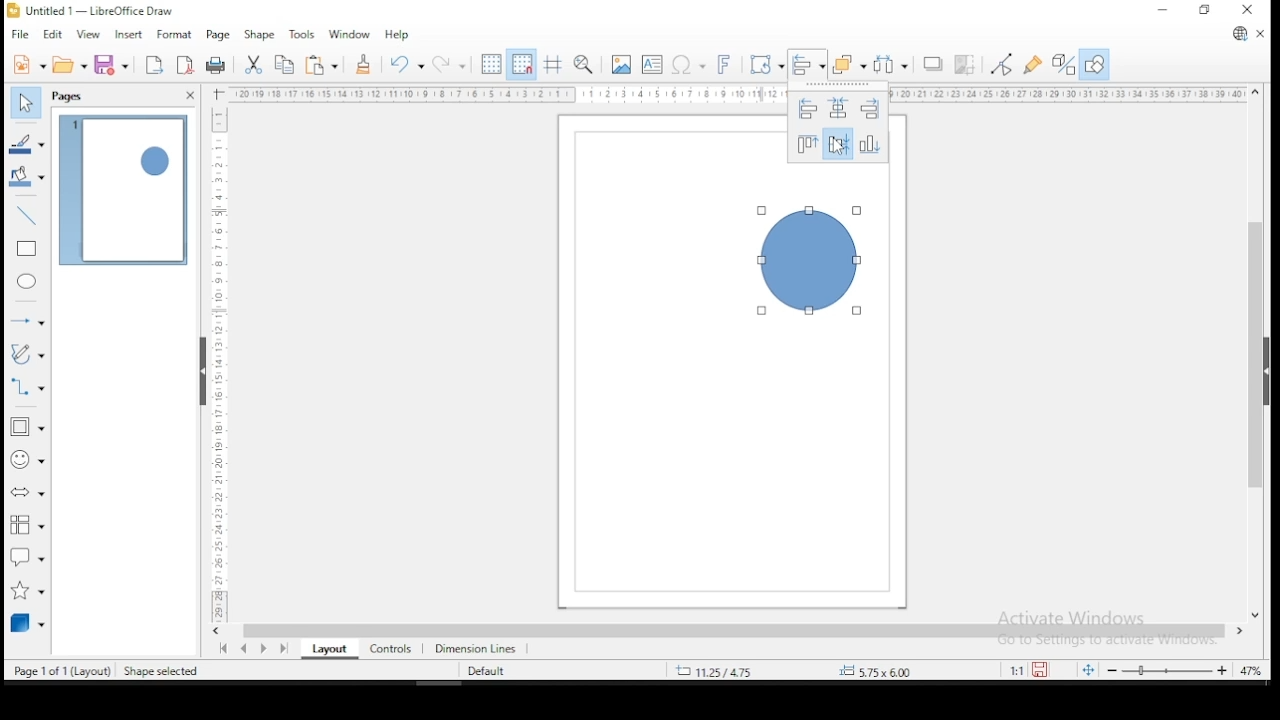 The height and width of the screenshot is (720, 1280). Describe the element at coordinates (1015, 670) in the screenshot. I see `1:1` at that location.